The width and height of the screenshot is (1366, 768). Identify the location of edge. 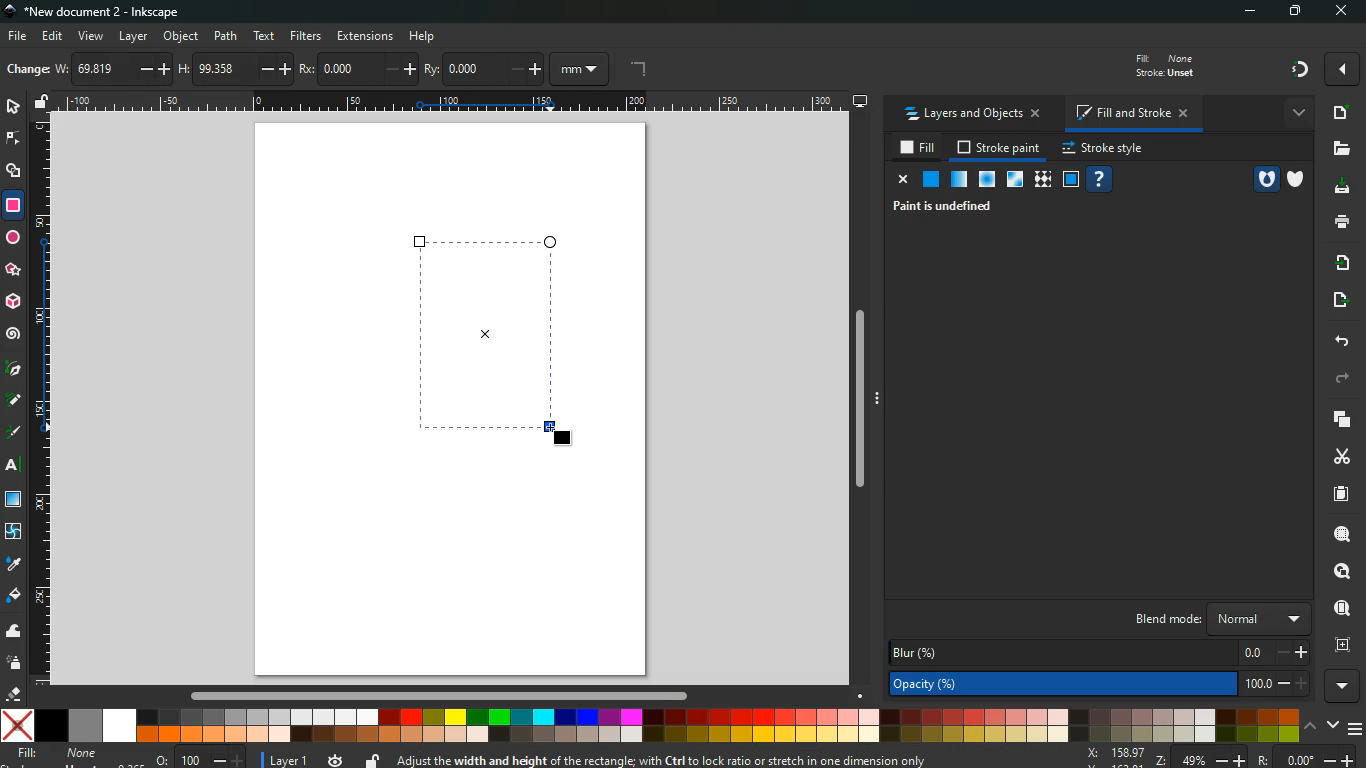
(14, 141).